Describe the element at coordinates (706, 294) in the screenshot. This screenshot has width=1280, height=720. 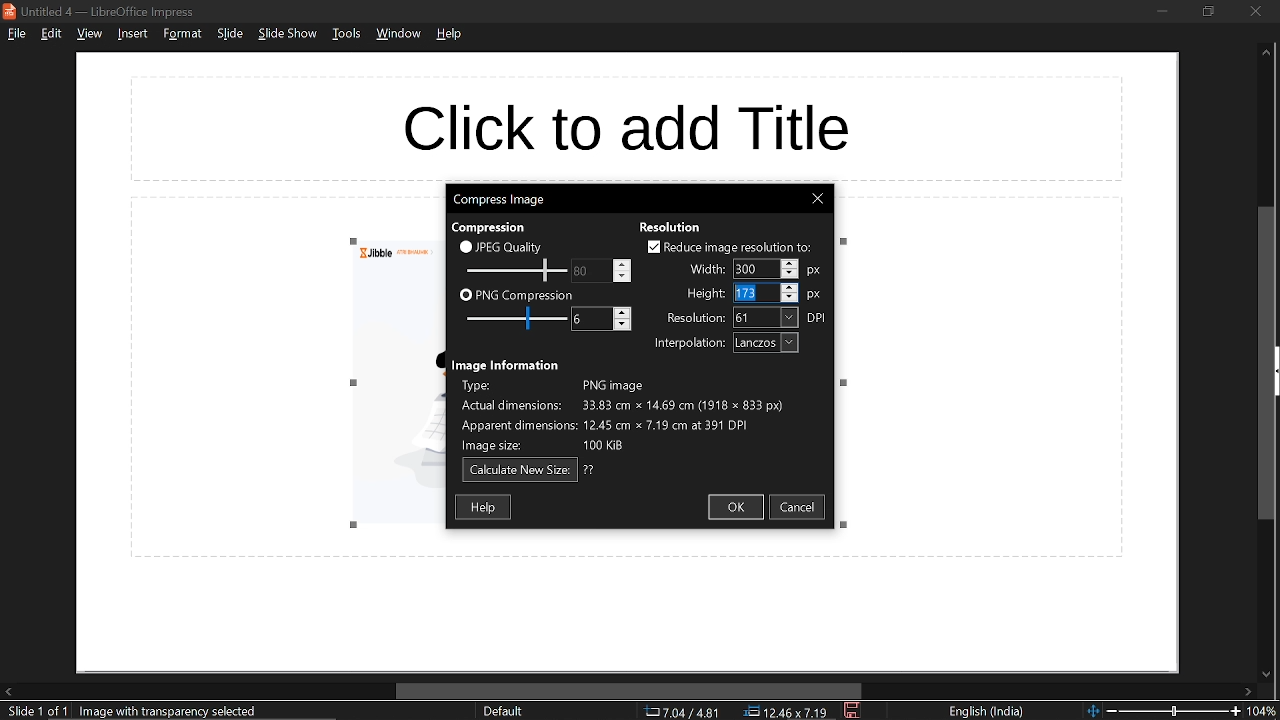
I see `text` at that location.